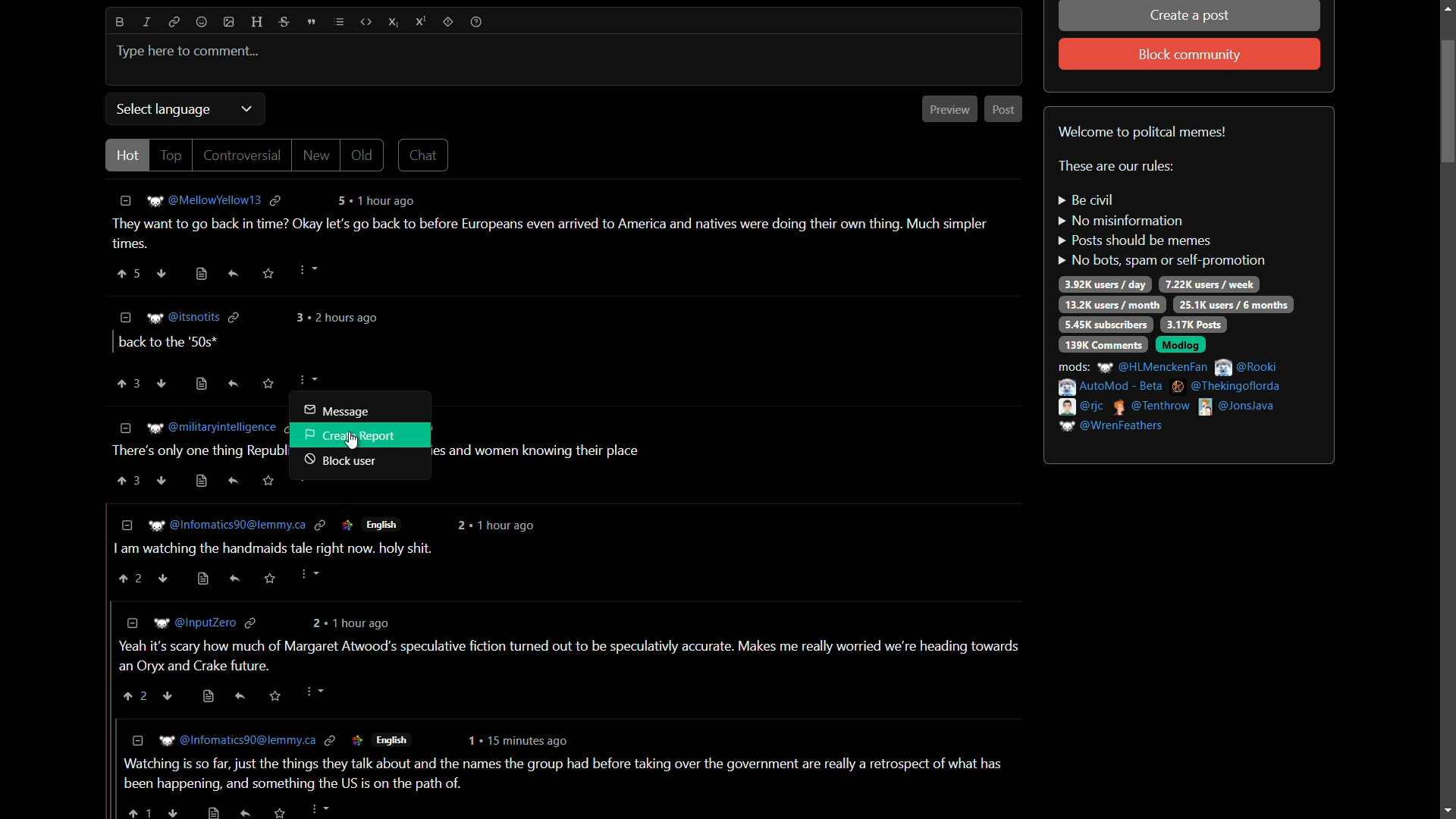 This screenshot has height=819, width=1456. I want to click on welcome to political memes, so click(1145, 132).